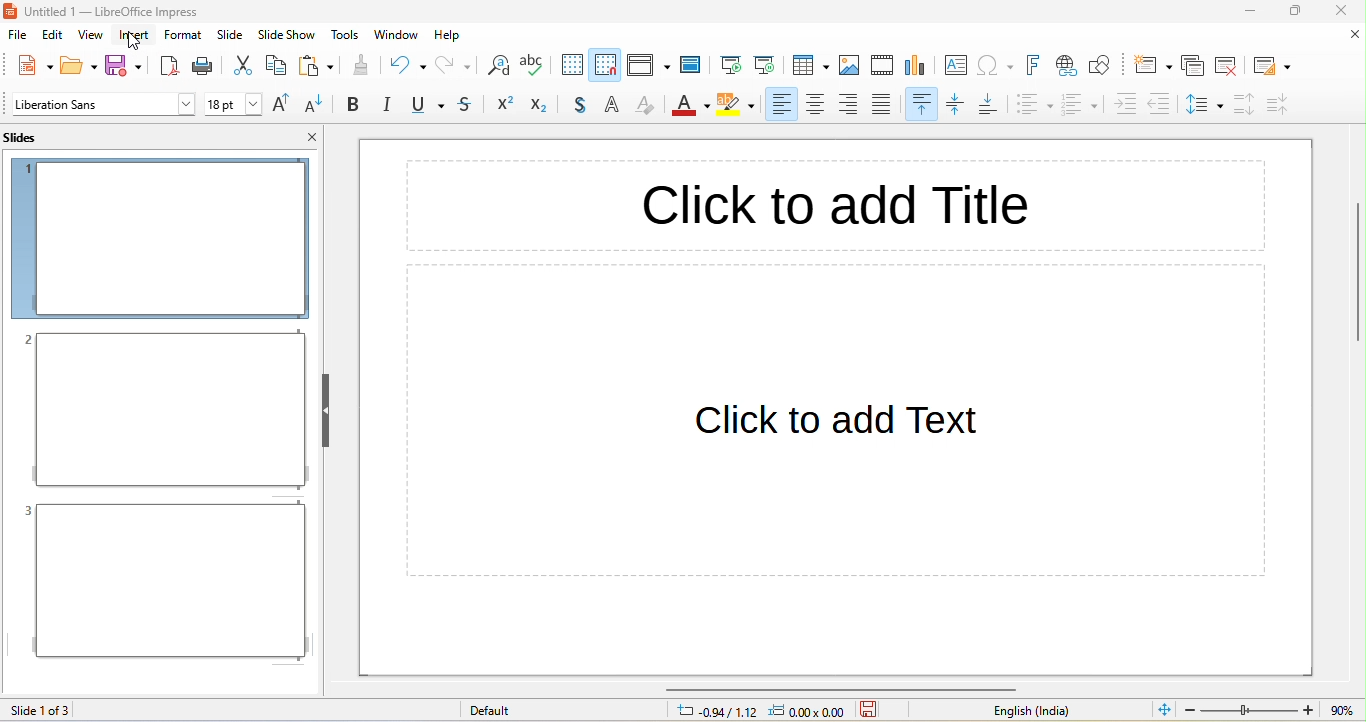 The height and width of the screenshot is (722, 1366). What do you see at coordinates (1165, 709) in the screenshot?
I see `fit slide to current window` at bounding box center [1165, 709].